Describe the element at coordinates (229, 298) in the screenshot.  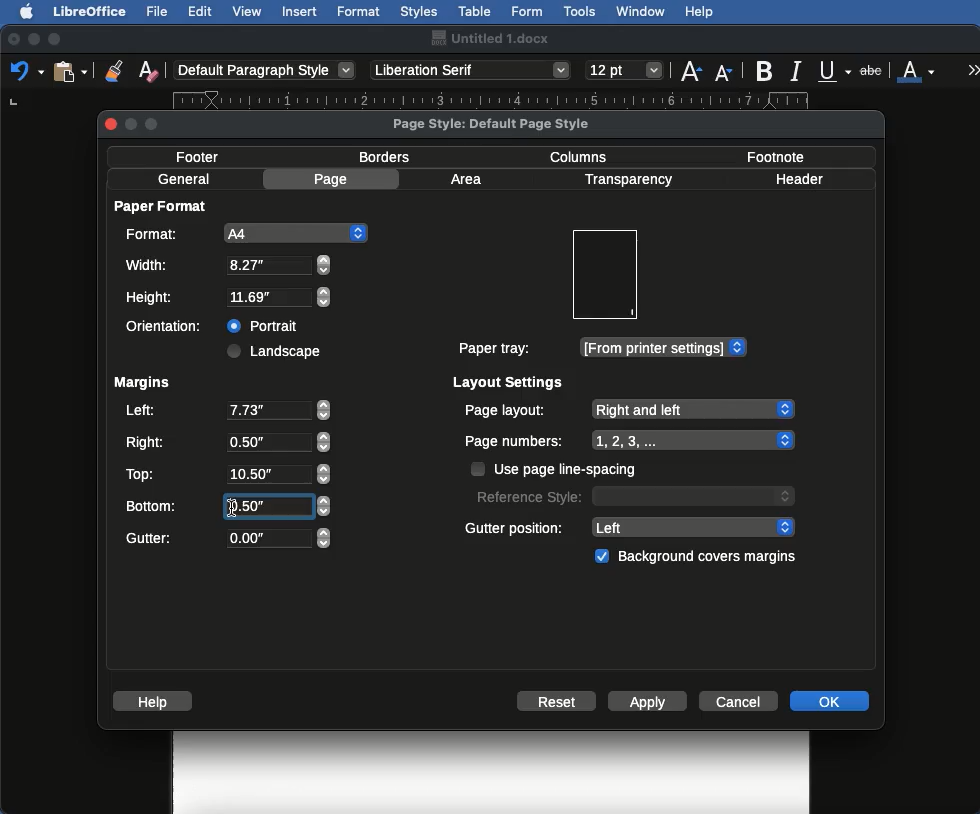
I see `Height` at that location.